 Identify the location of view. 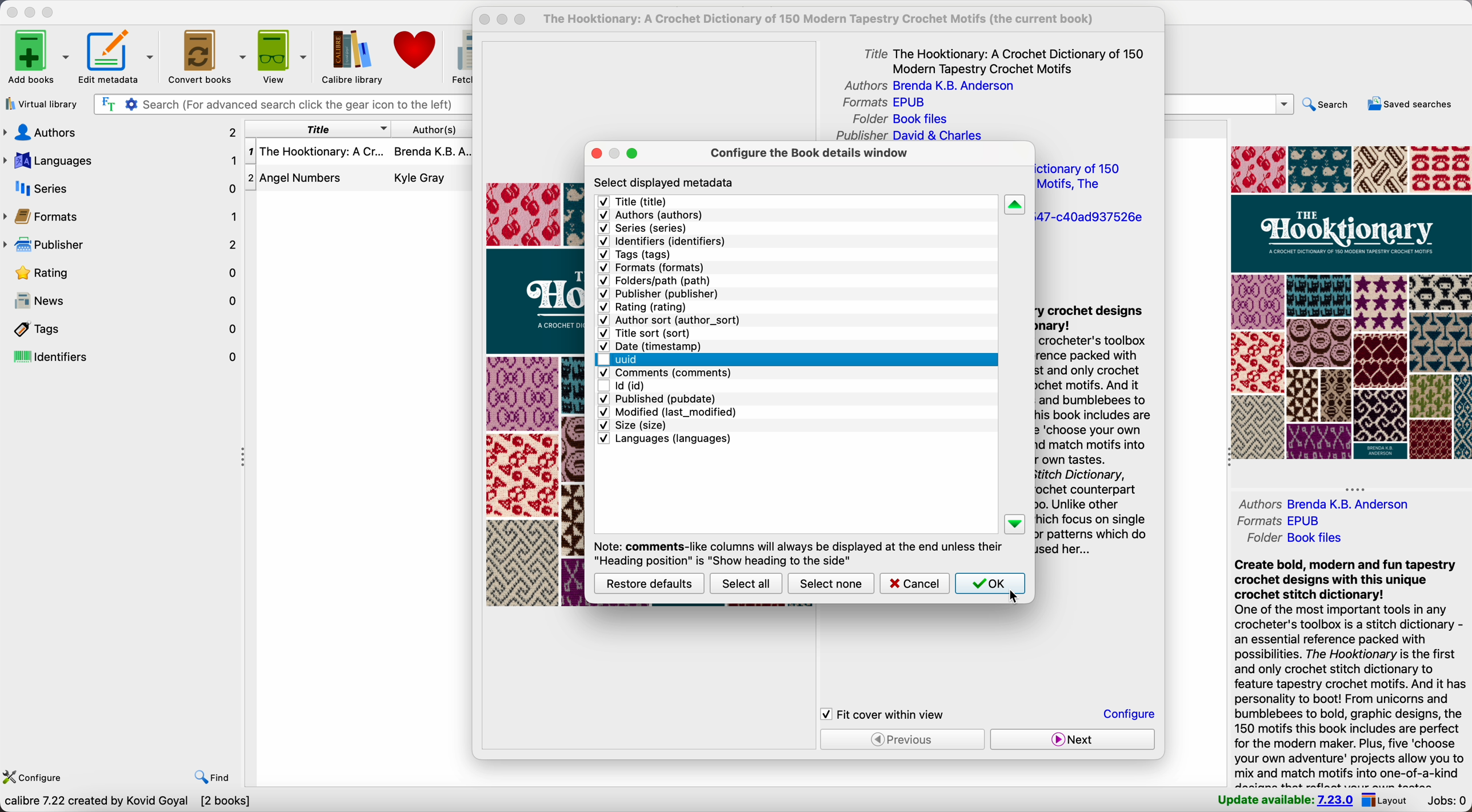
(282, 55).